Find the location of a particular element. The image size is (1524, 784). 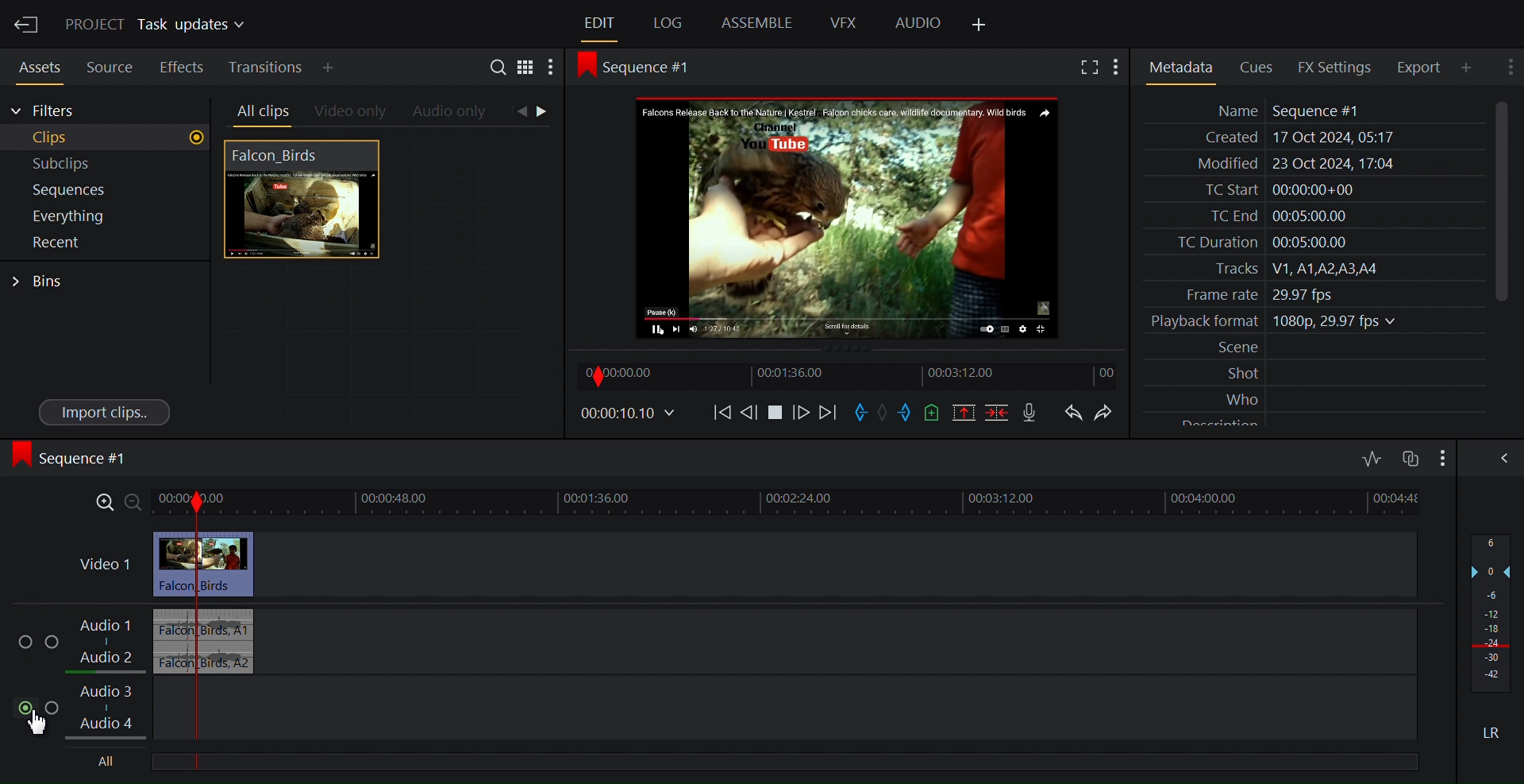

Toggle audio levels editing is located at coordinates (1372, 456).